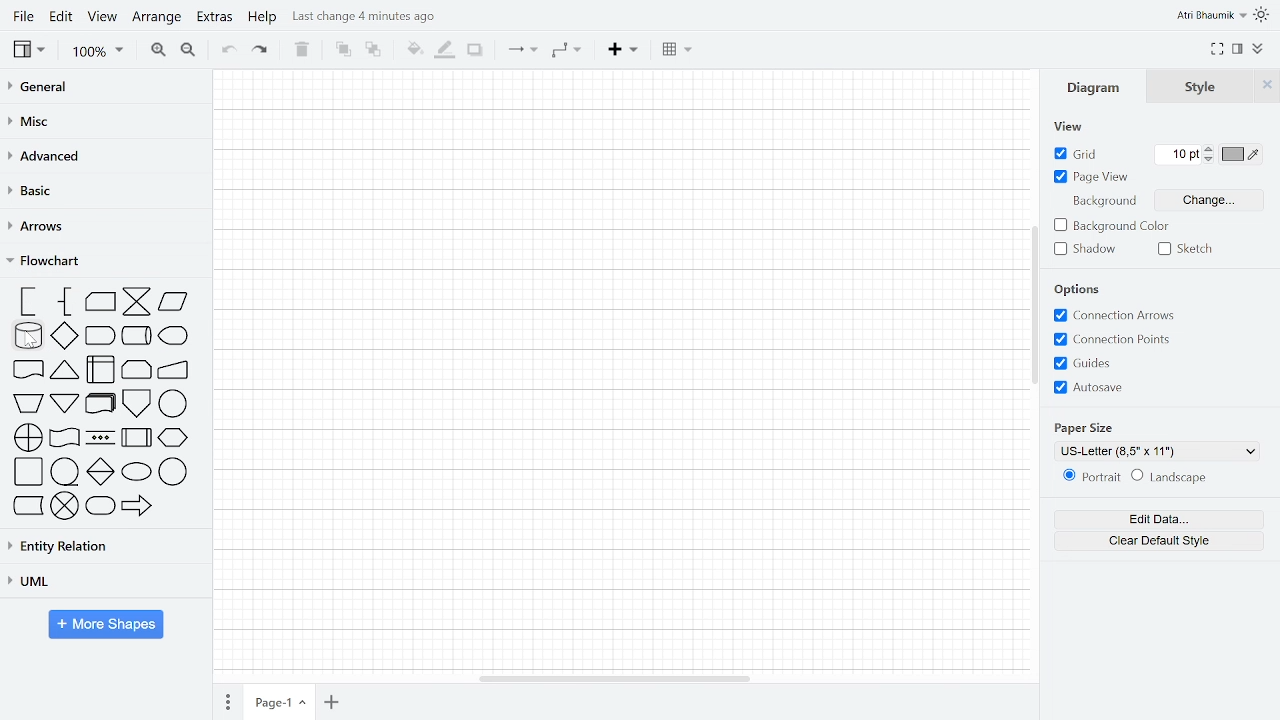 This screenshot has width=1280, height=720. Describe the element at coordinates (97, 88) in the screenshot. I see `General` at that location.